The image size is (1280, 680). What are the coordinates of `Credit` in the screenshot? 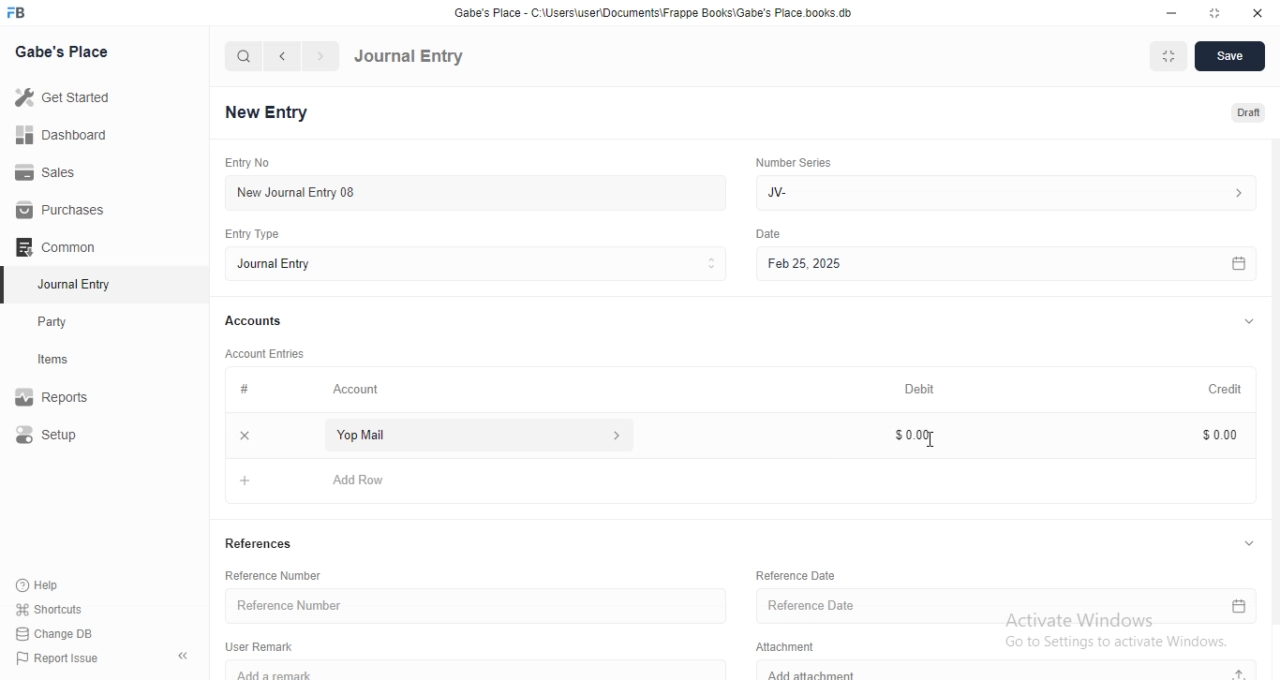 It's located at (1216, 389).